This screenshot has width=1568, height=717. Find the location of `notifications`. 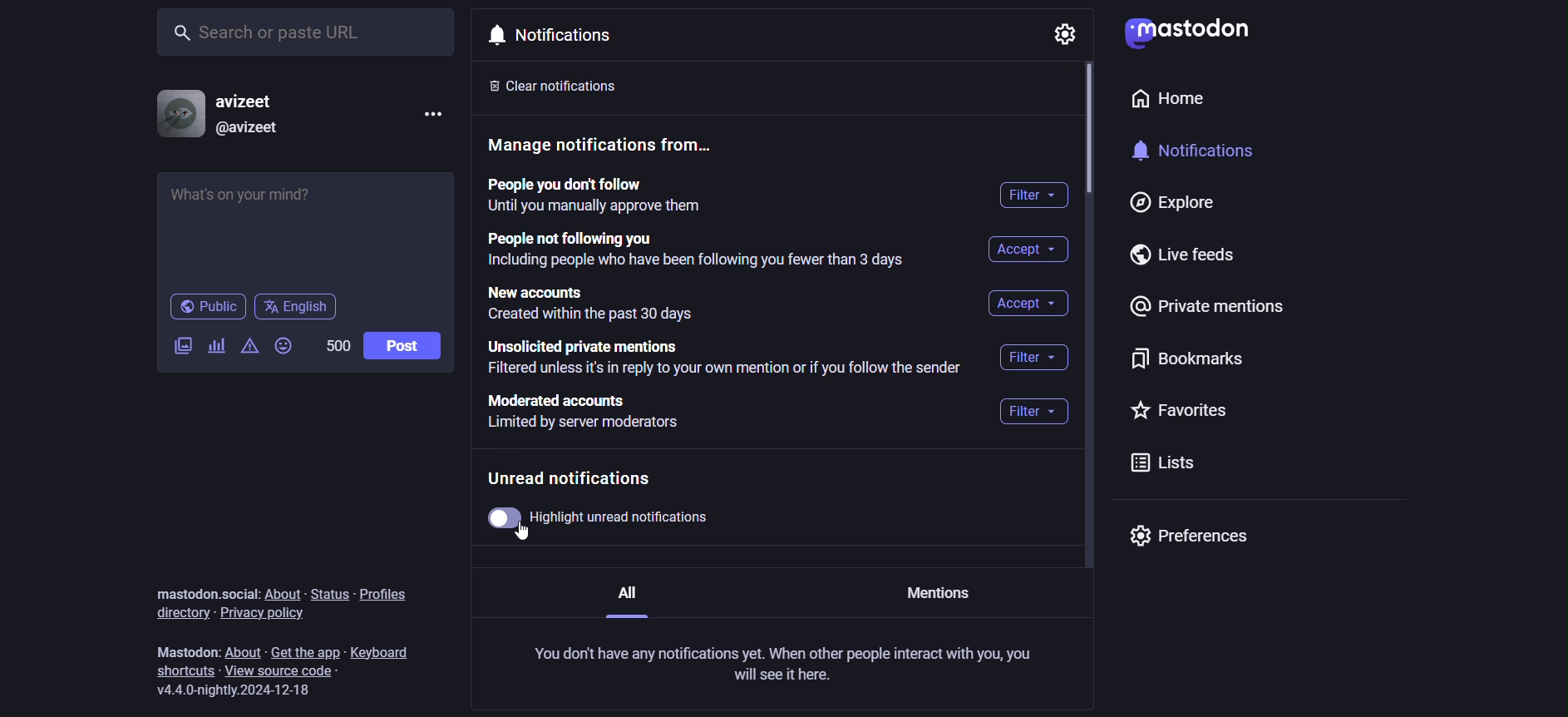

notifications is located at coordinates (573, 37).